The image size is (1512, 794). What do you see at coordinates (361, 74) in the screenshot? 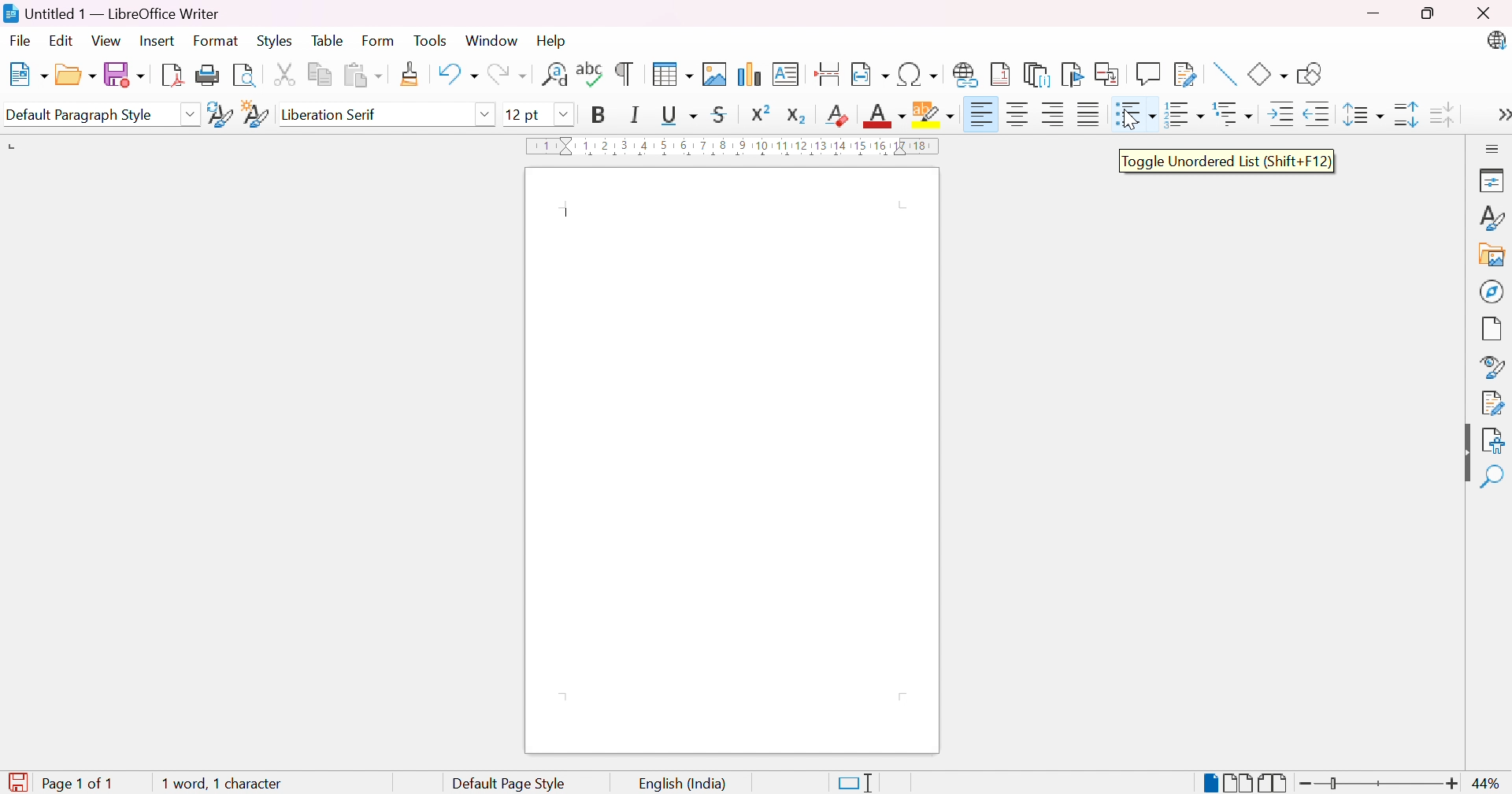
I see `Paste` at bounding box center [361, 74].